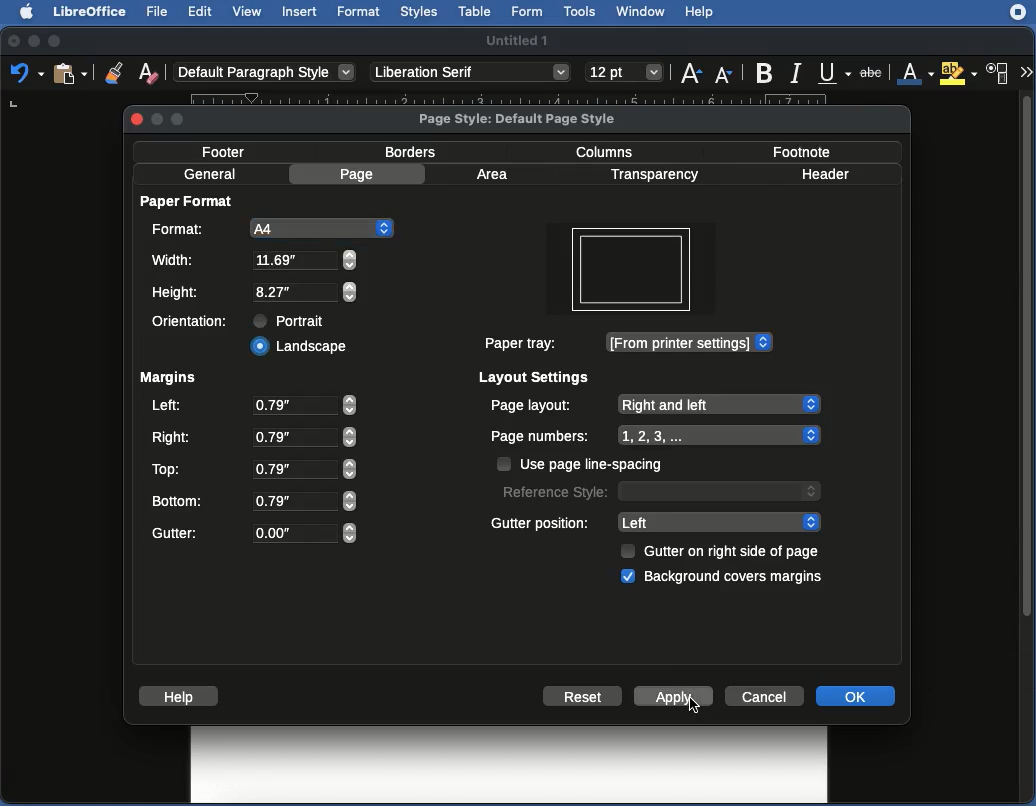  I want to click on Apple logo, so click(29, 12).